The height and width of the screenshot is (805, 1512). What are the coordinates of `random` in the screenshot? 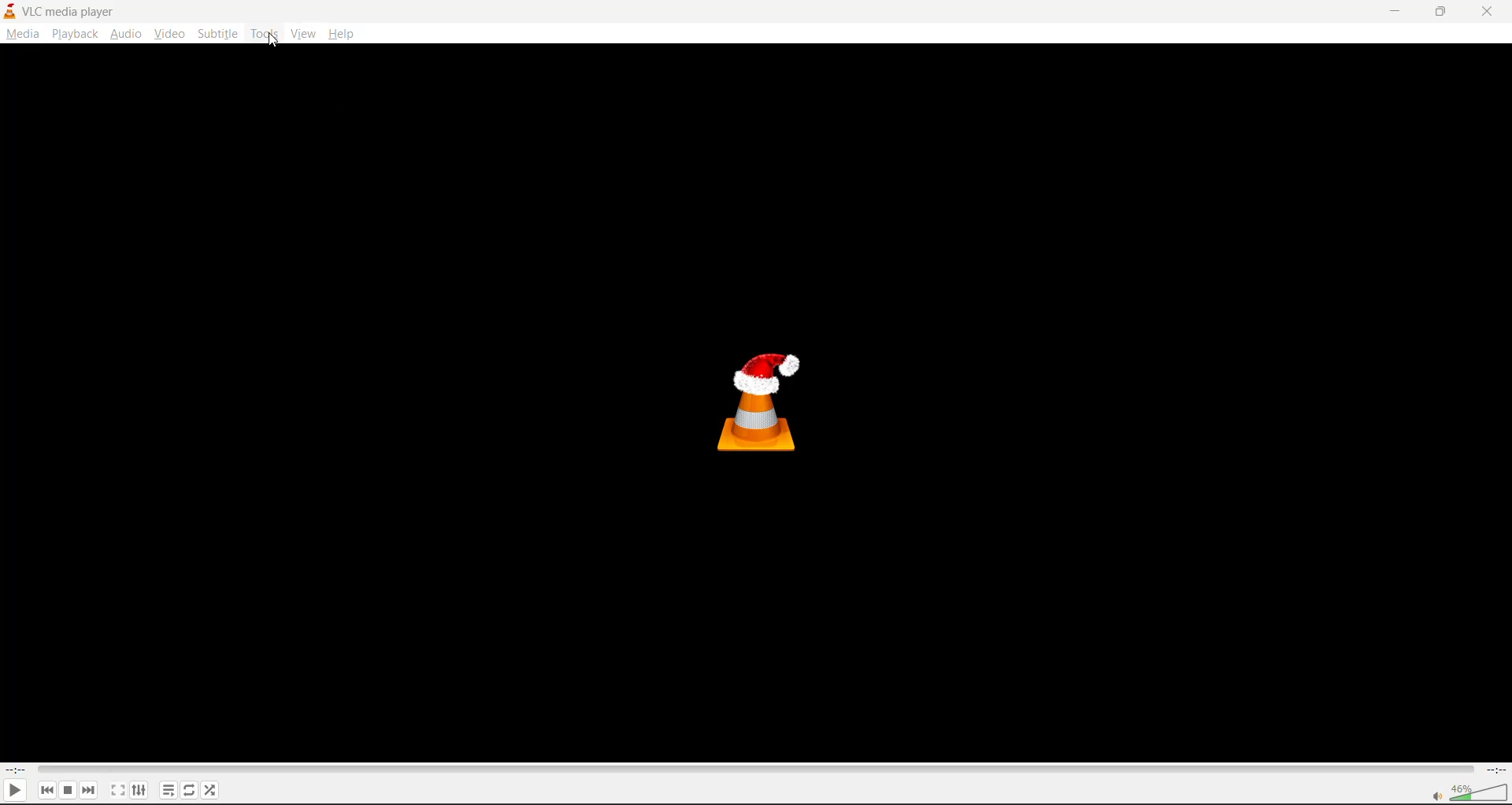 It's located at (212, 792).